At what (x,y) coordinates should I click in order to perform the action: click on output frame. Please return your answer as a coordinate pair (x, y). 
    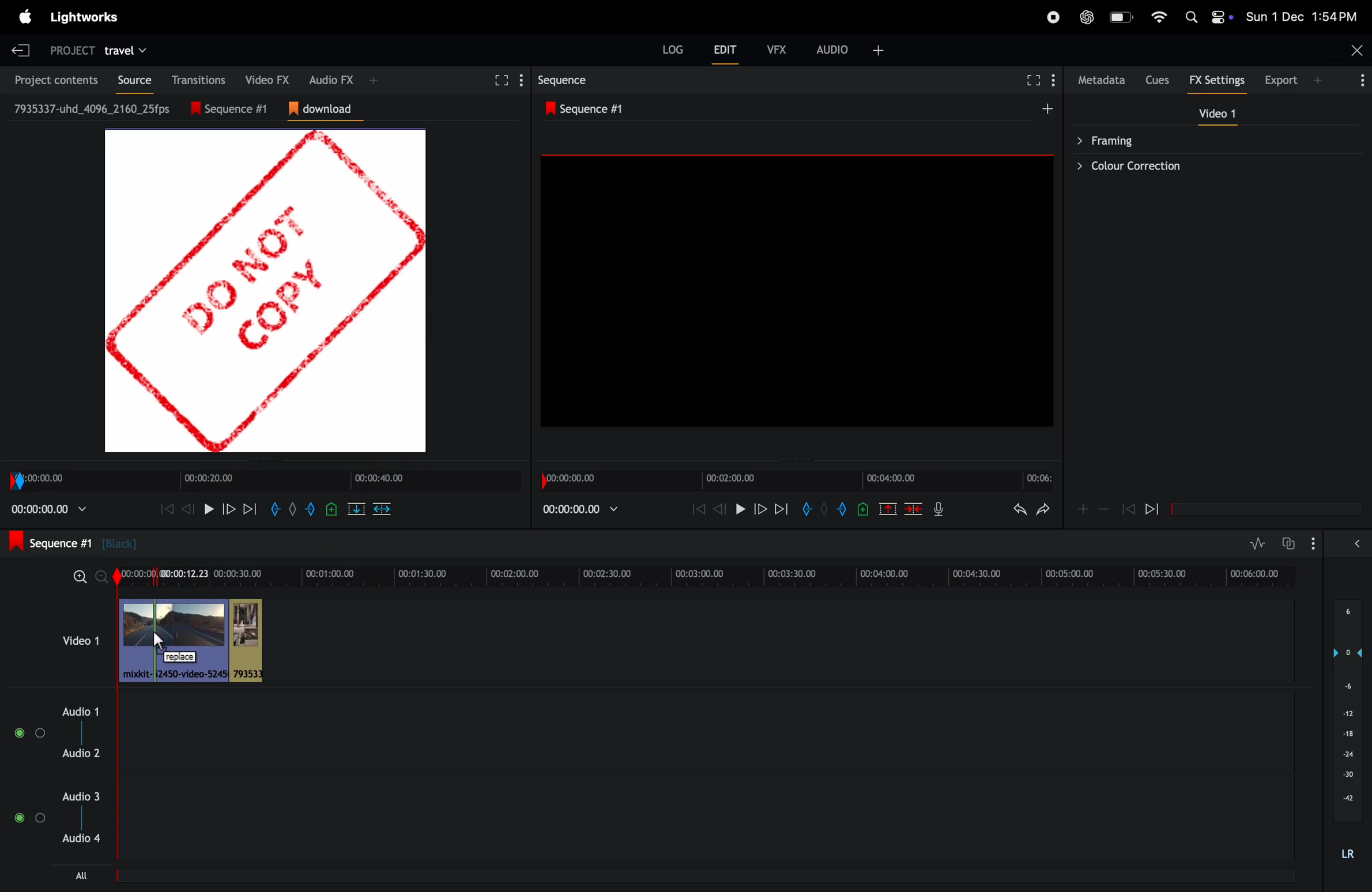
    Looking at the image, I should click on (797, 290).